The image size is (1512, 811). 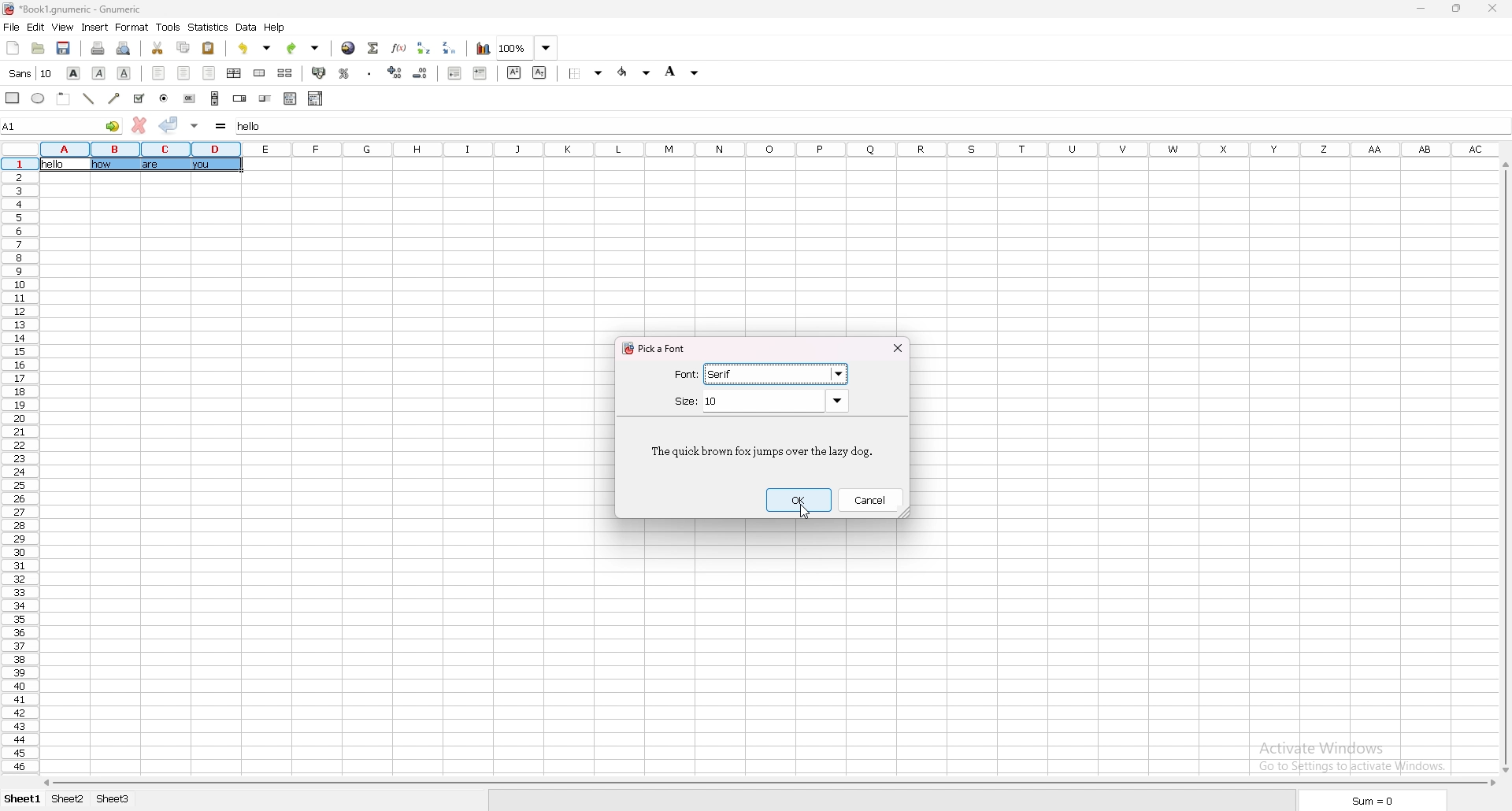 What do you see at coordinates (63, 28) in the screenshot?
I see `view` at bounding box center [63, 28].